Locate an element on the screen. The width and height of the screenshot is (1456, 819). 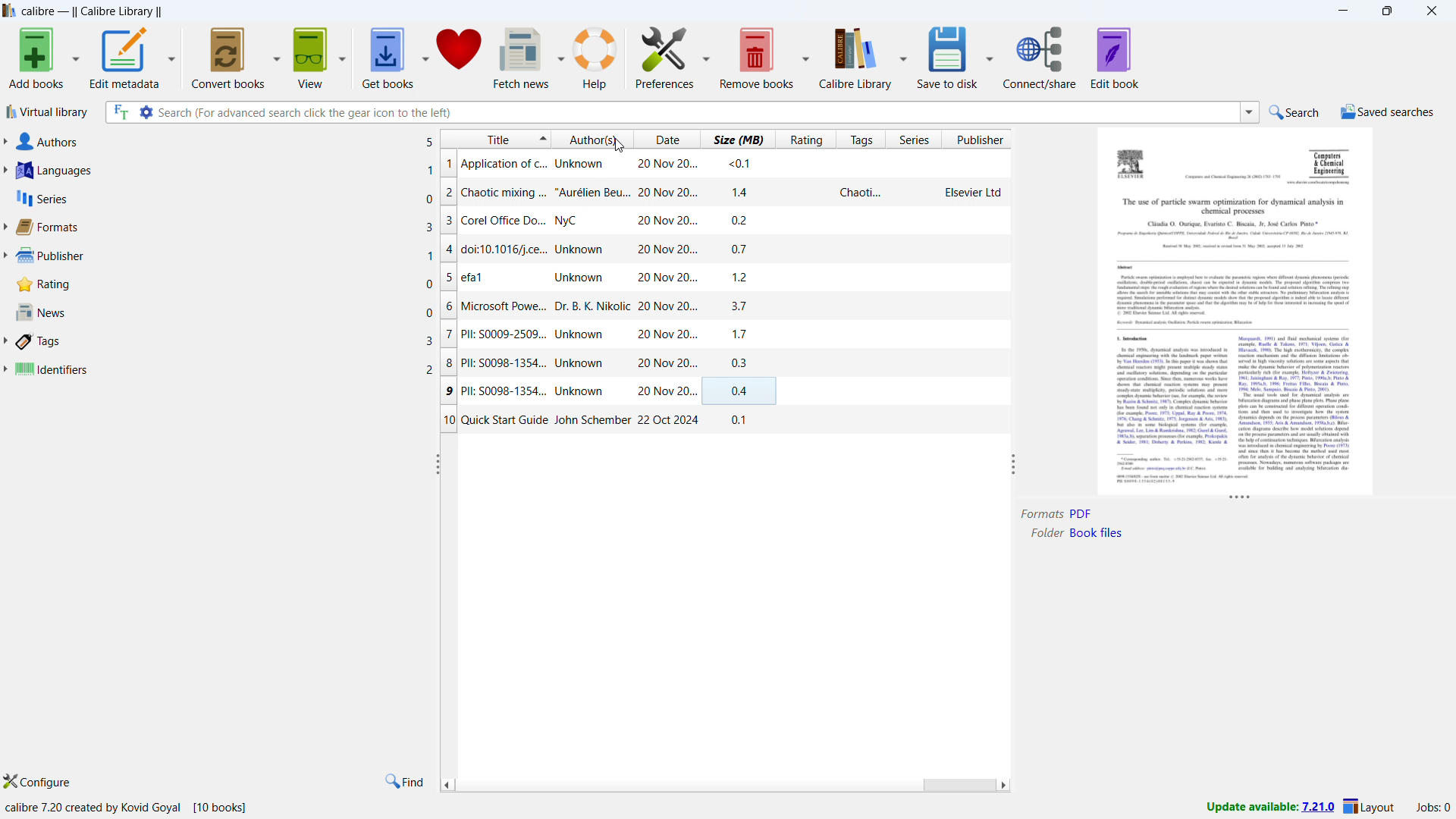
Corel Office Do... NyC 20 Nov 20... is located at coordinates (585, 218).